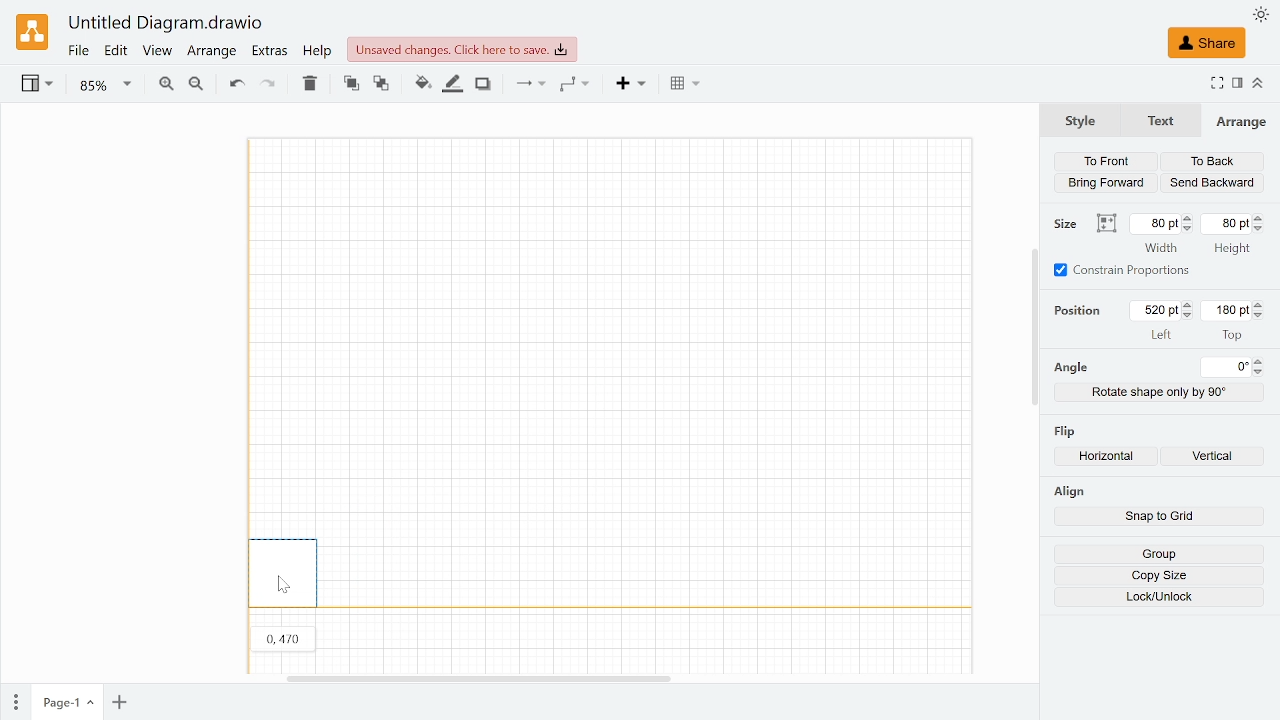 This screenshot has height=720, width=1280. What do you see at coordinates (483, 85) in the screenshot?
I see `Shadow` at bounding box center [483, 85].